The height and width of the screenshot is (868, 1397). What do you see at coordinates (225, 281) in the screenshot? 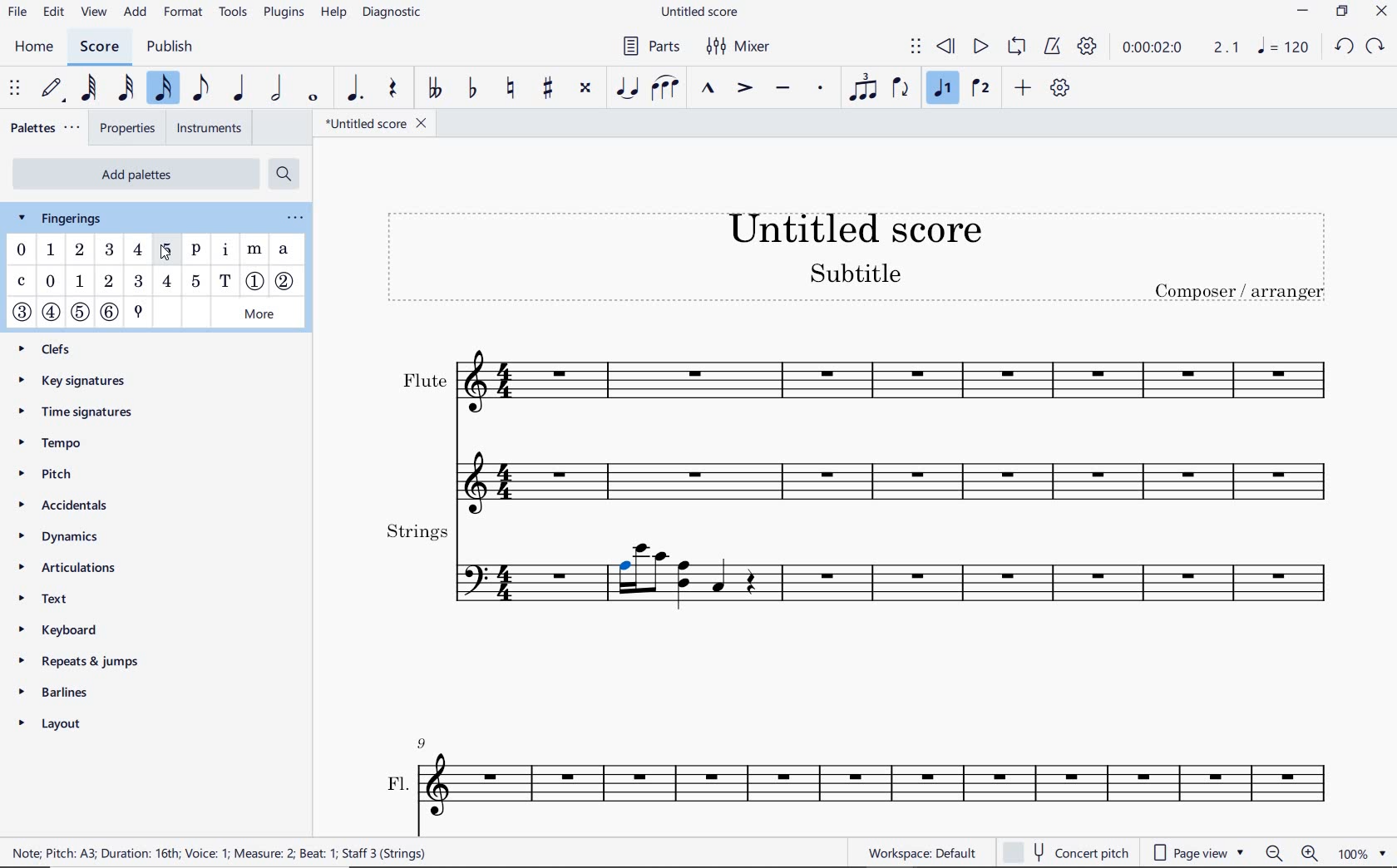
I see `LH GUITAR FINGERING T` at bounding box center [225, 281].